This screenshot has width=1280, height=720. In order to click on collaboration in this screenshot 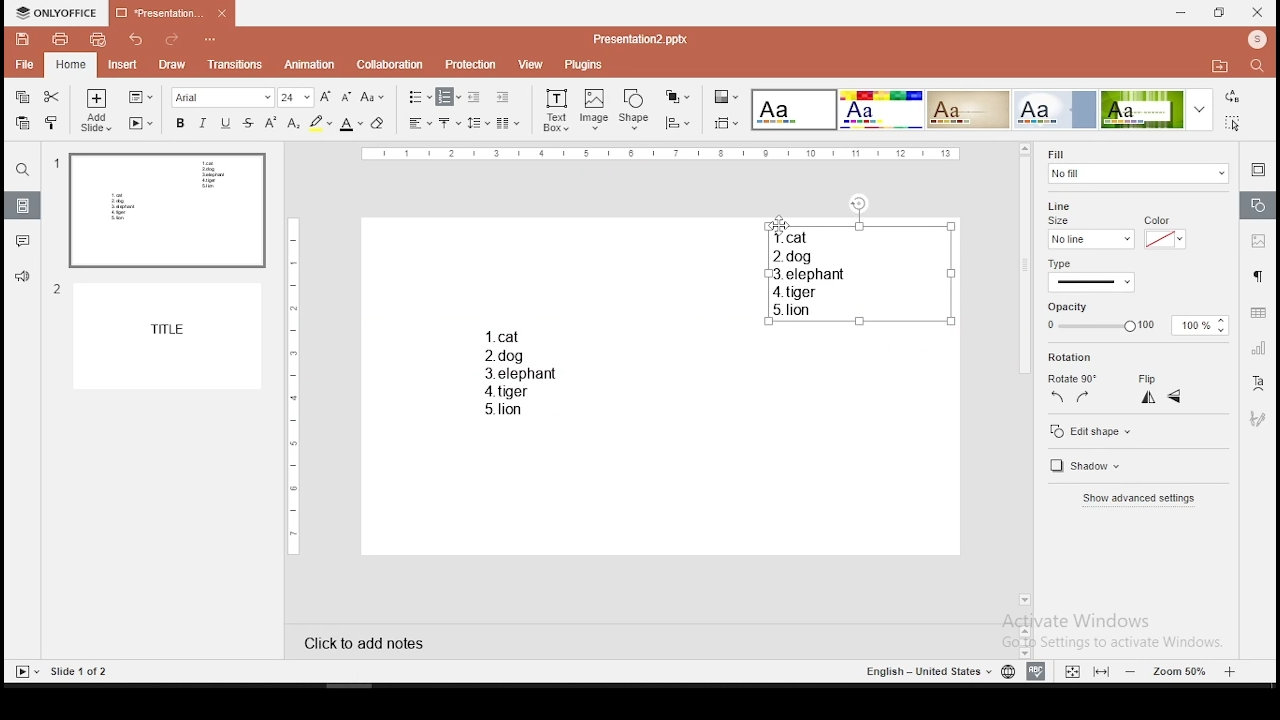, I will do `click(390, 65)`.